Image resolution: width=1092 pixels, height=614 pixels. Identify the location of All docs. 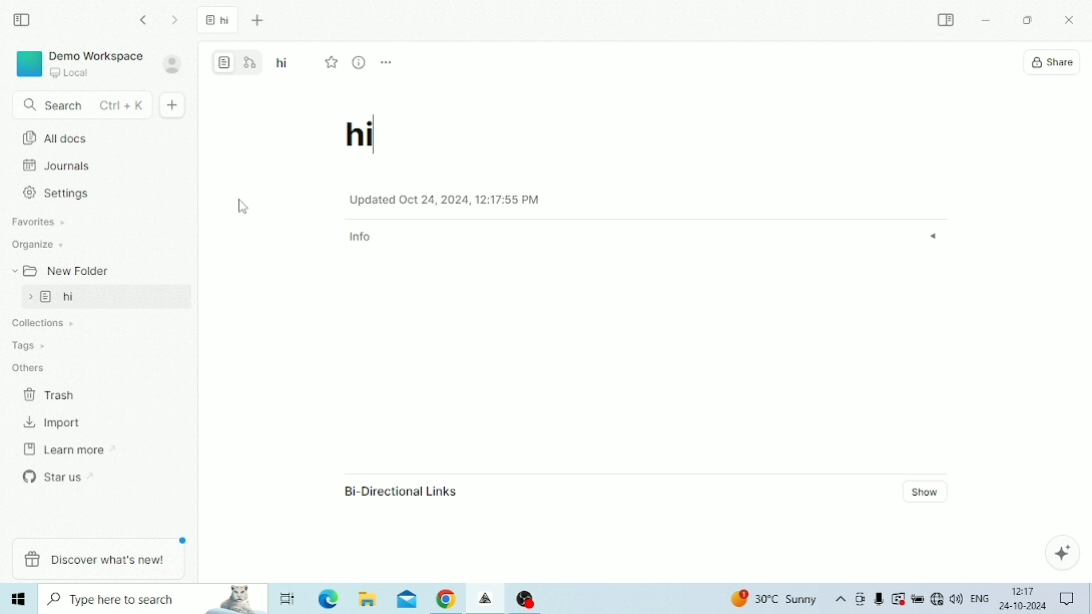
(94, 137).